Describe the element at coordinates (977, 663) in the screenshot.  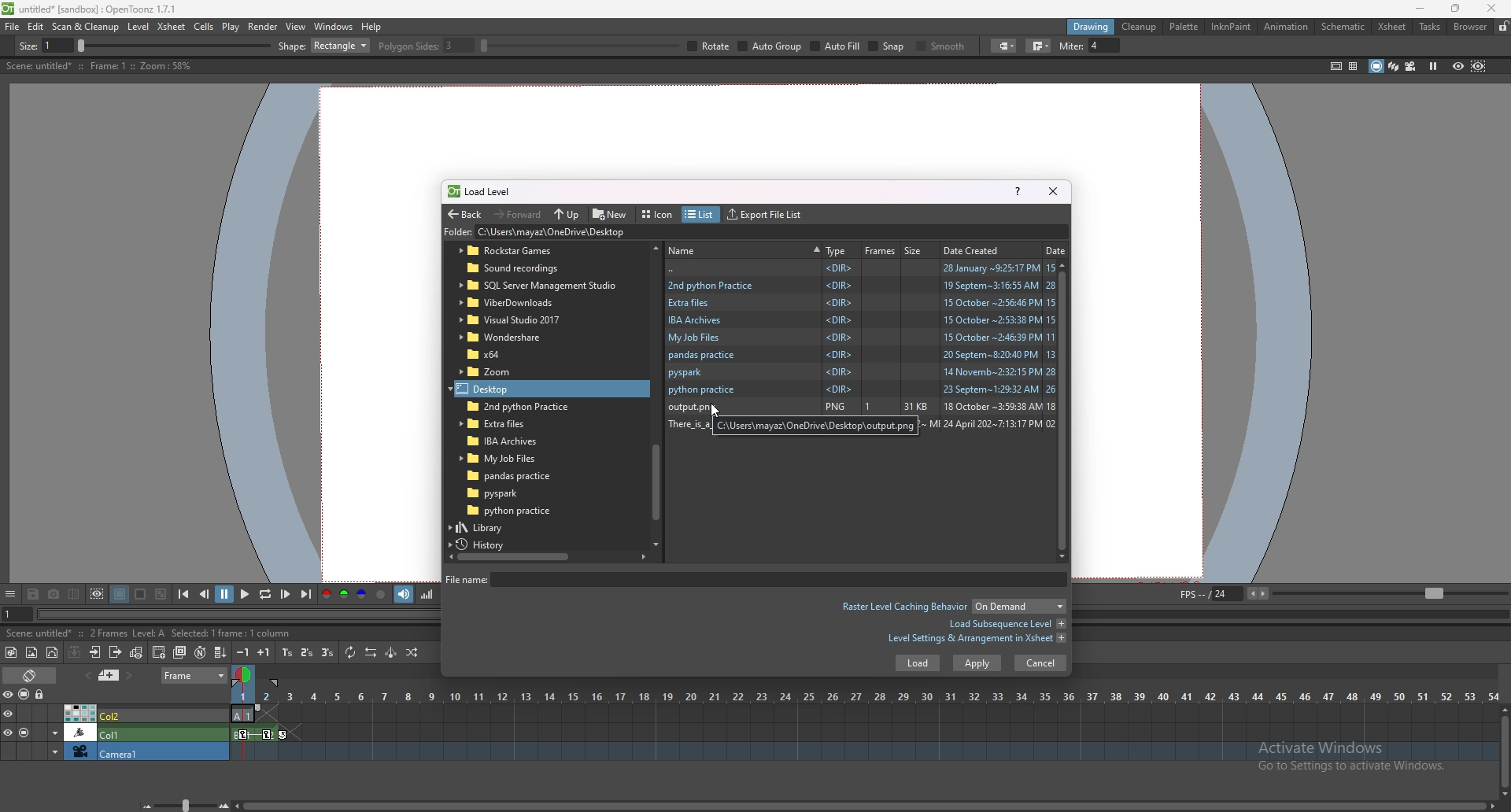
I see `apply` at that location.